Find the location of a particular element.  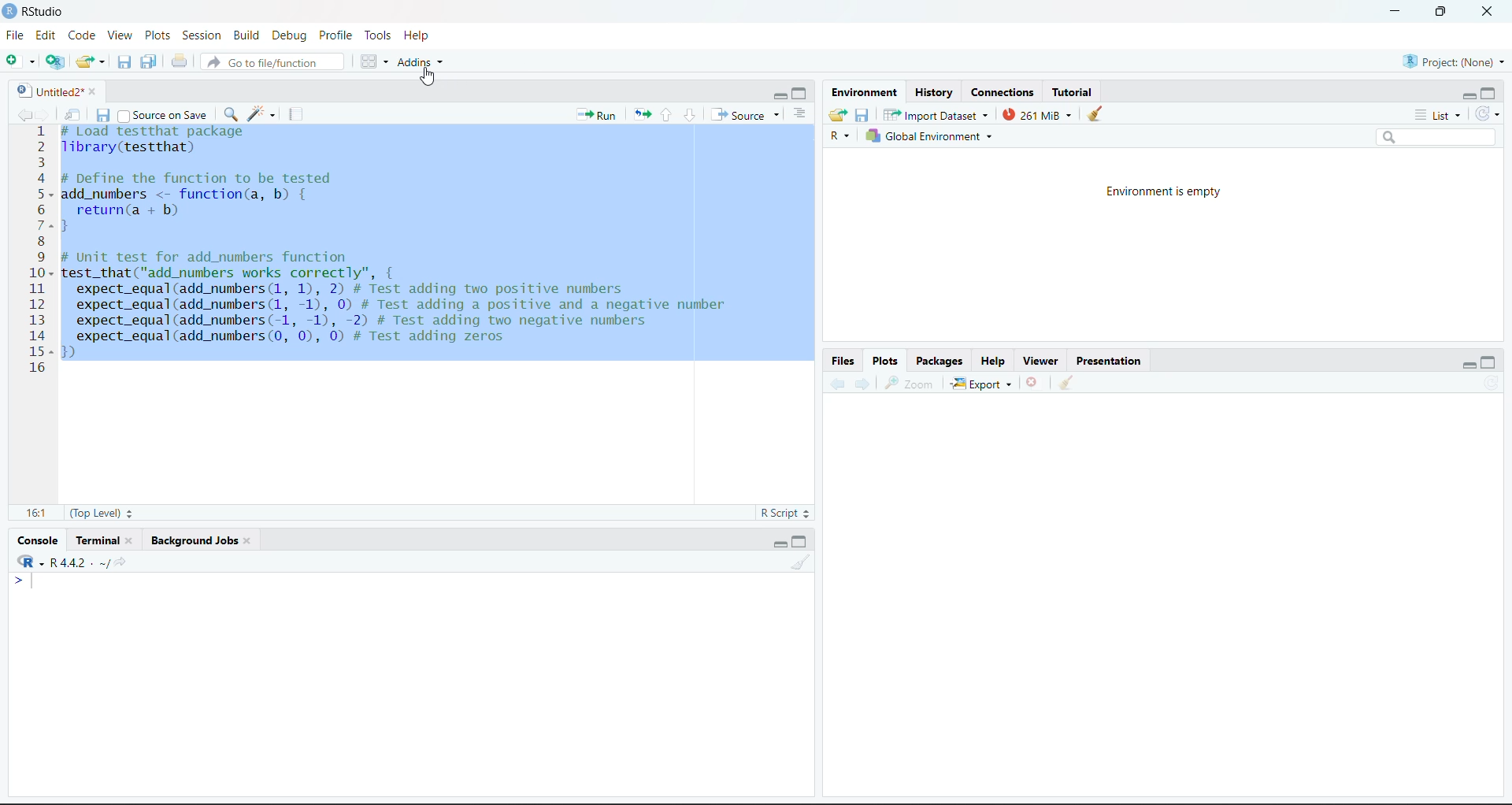

Tools is located at coordinates (376, 35).